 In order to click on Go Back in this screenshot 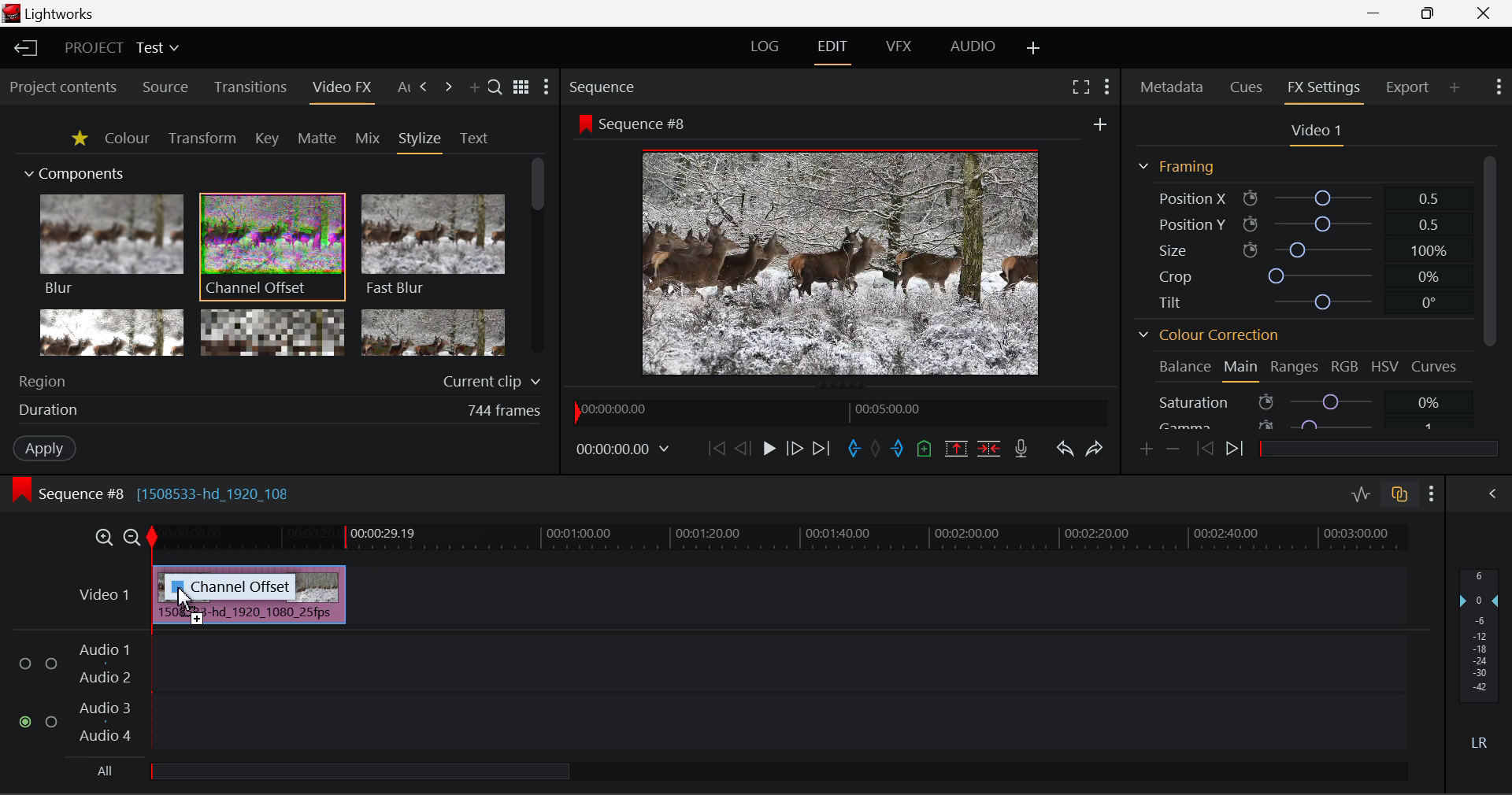, I will do `click(741, 449)`.